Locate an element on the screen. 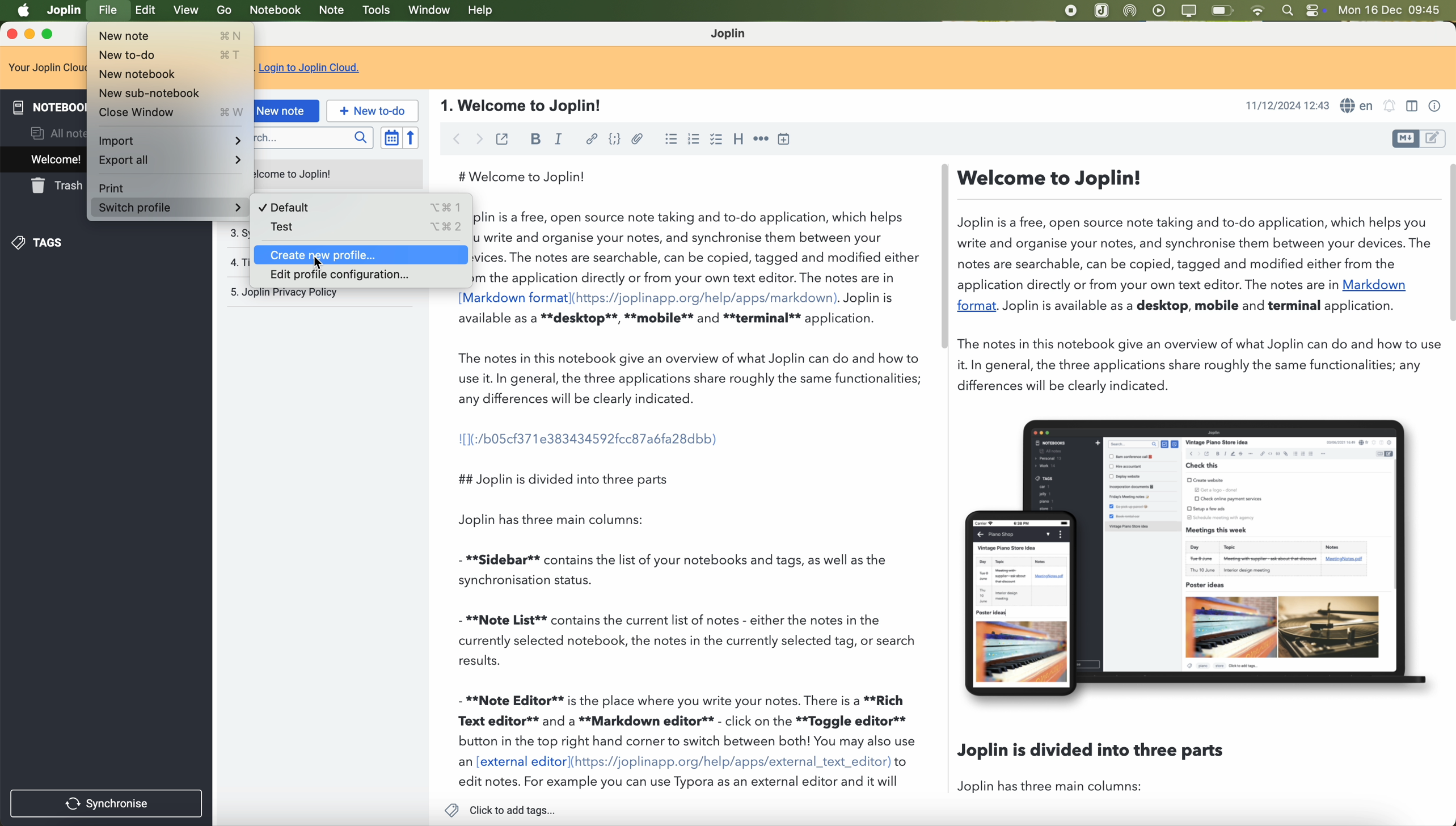 This screenshot has height=826, width=1456. - **Note Editor** is the place where you write your notes. There is a **Rich
Text editor** and a **Markdown editor** - click on the **Toggle editor**
button in the top right hand corner to switch between both! You may also use is located at coordinates (687, 720).